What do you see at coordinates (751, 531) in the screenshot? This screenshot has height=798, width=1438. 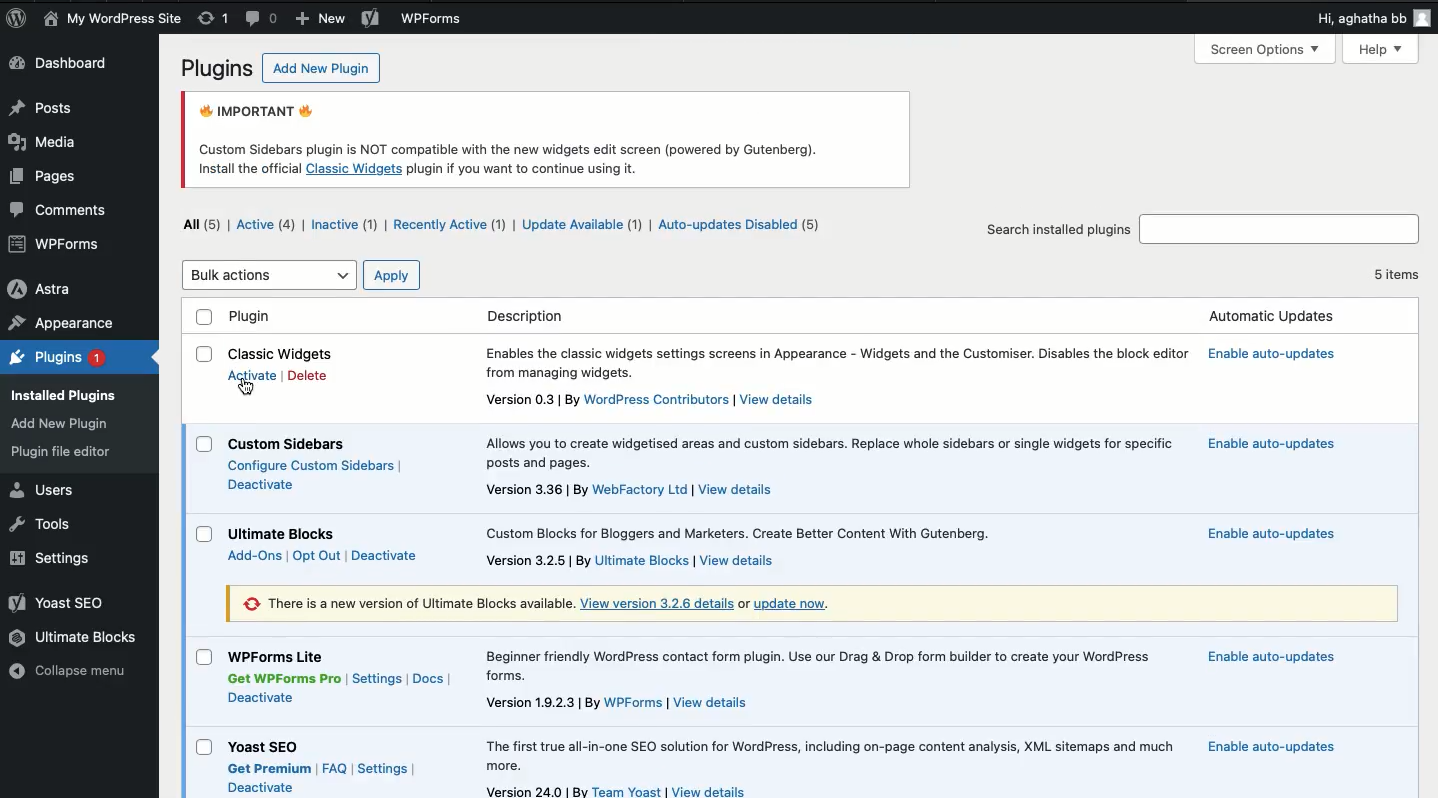 I see `description` at bounding box center [751, 531].